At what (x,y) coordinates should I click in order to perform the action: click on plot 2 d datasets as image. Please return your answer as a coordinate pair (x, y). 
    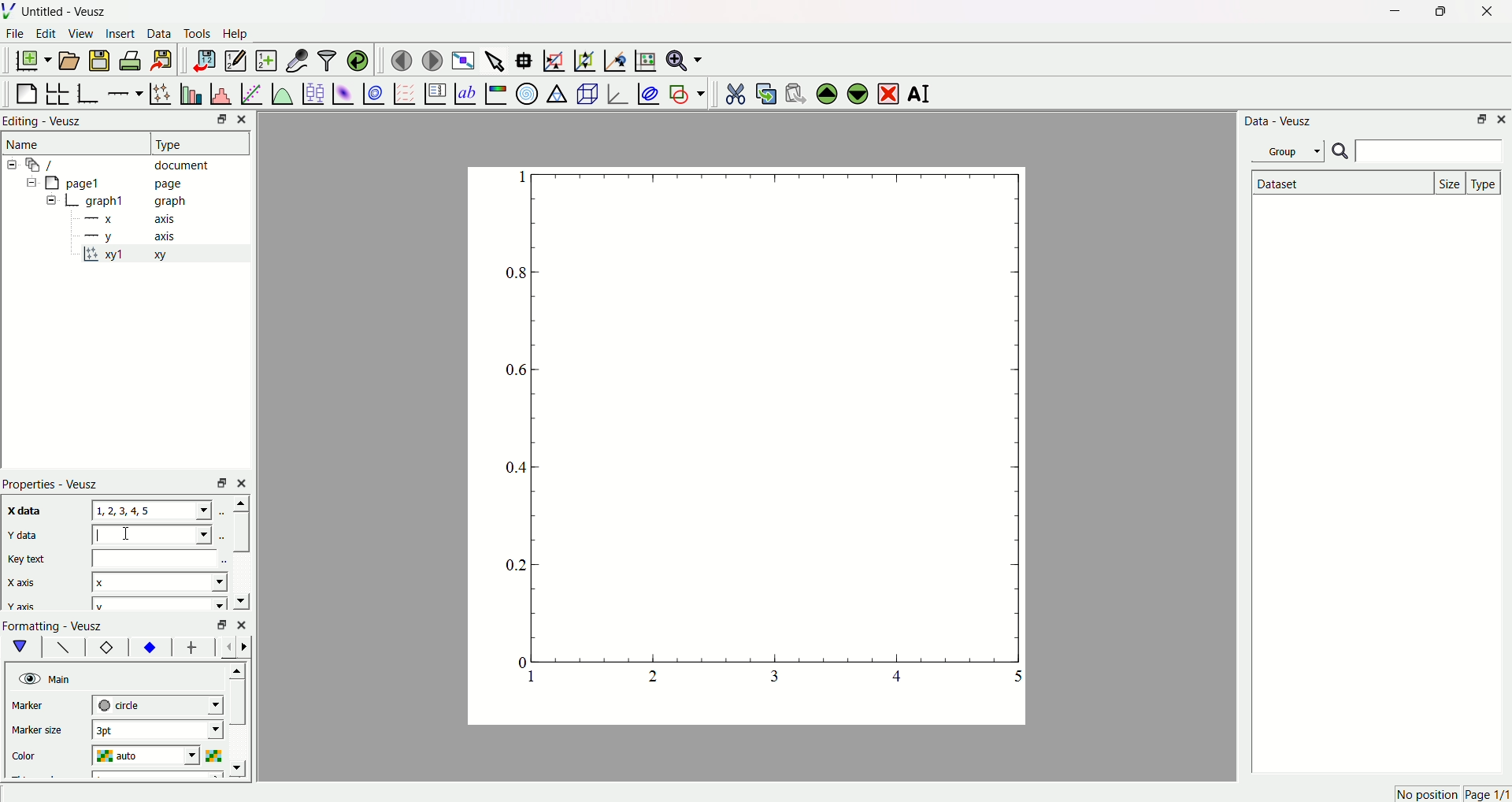
    Looking at the image, I should click on (343, 92).